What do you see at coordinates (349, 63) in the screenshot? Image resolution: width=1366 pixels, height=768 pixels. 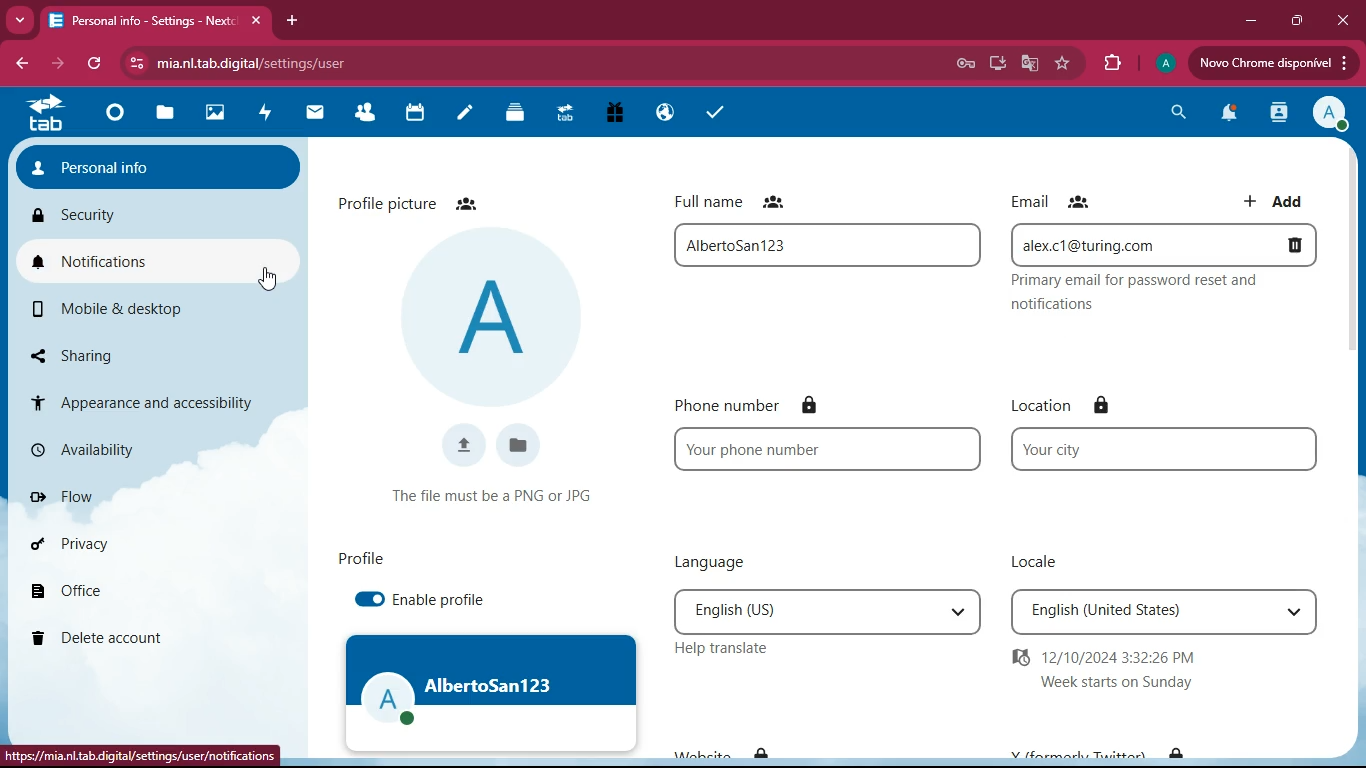 I see `url` at bounding box center [349, 63].